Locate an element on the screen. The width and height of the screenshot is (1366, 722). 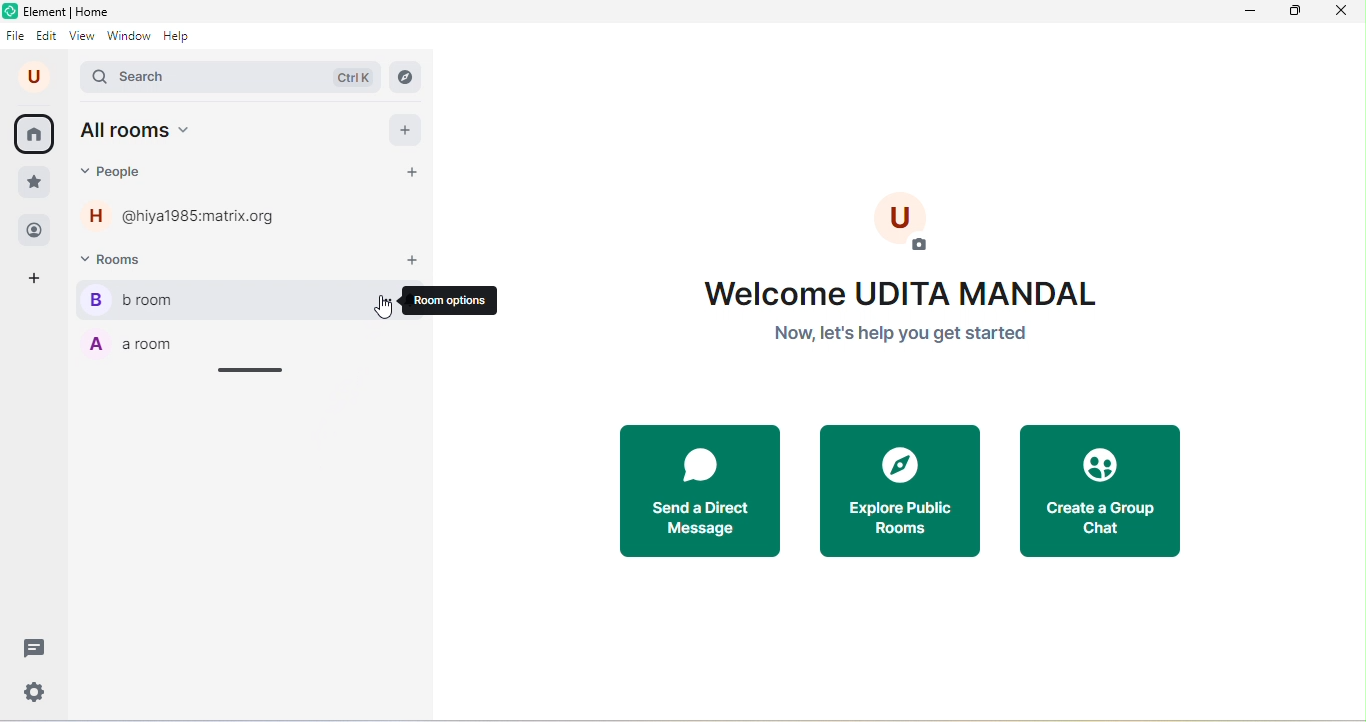
rooms is located at coordinates (139, 258).